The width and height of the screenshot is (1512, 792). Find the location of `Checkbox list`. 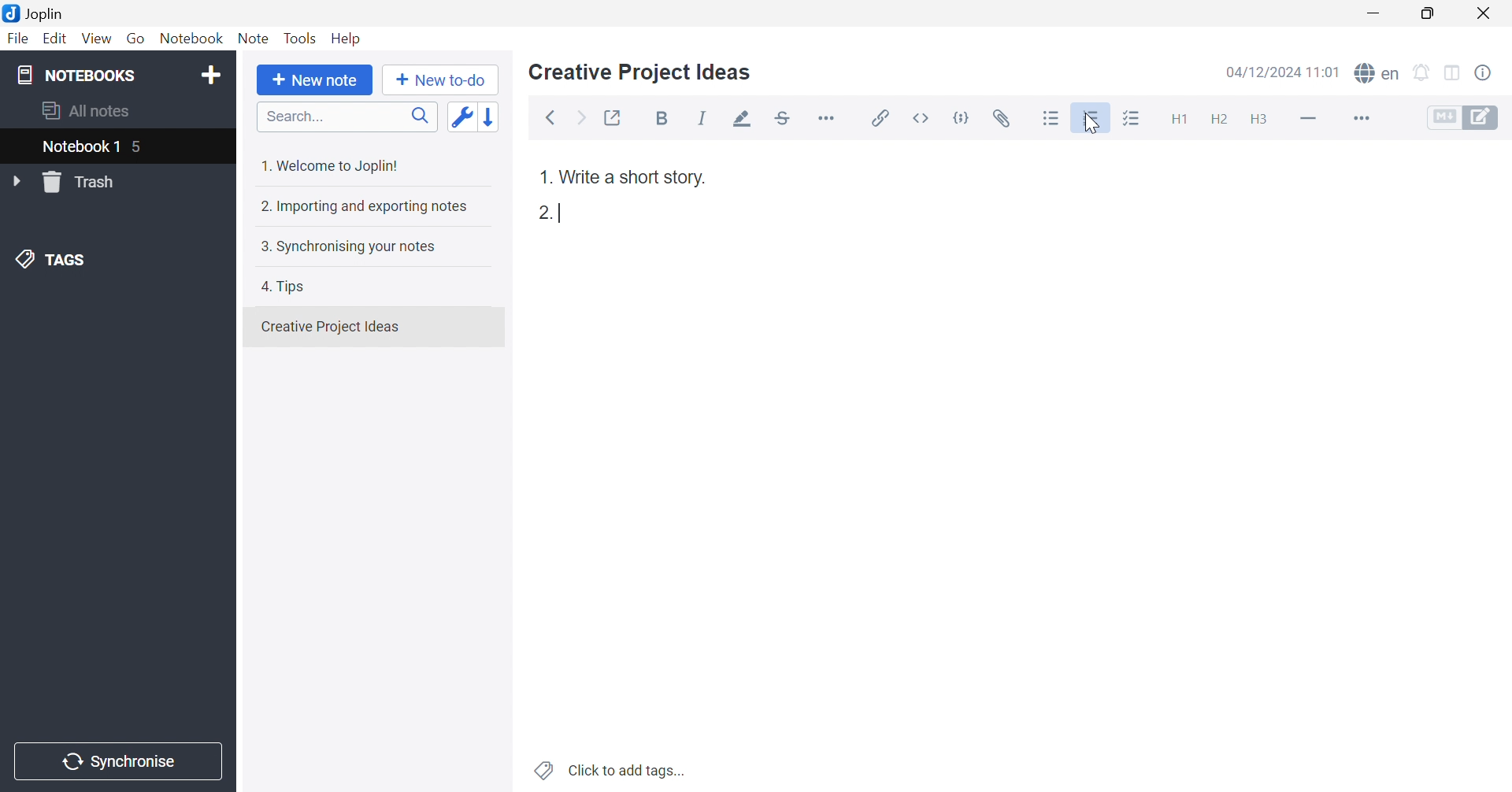

Checkbox list is located at coordinates (1130, 122).